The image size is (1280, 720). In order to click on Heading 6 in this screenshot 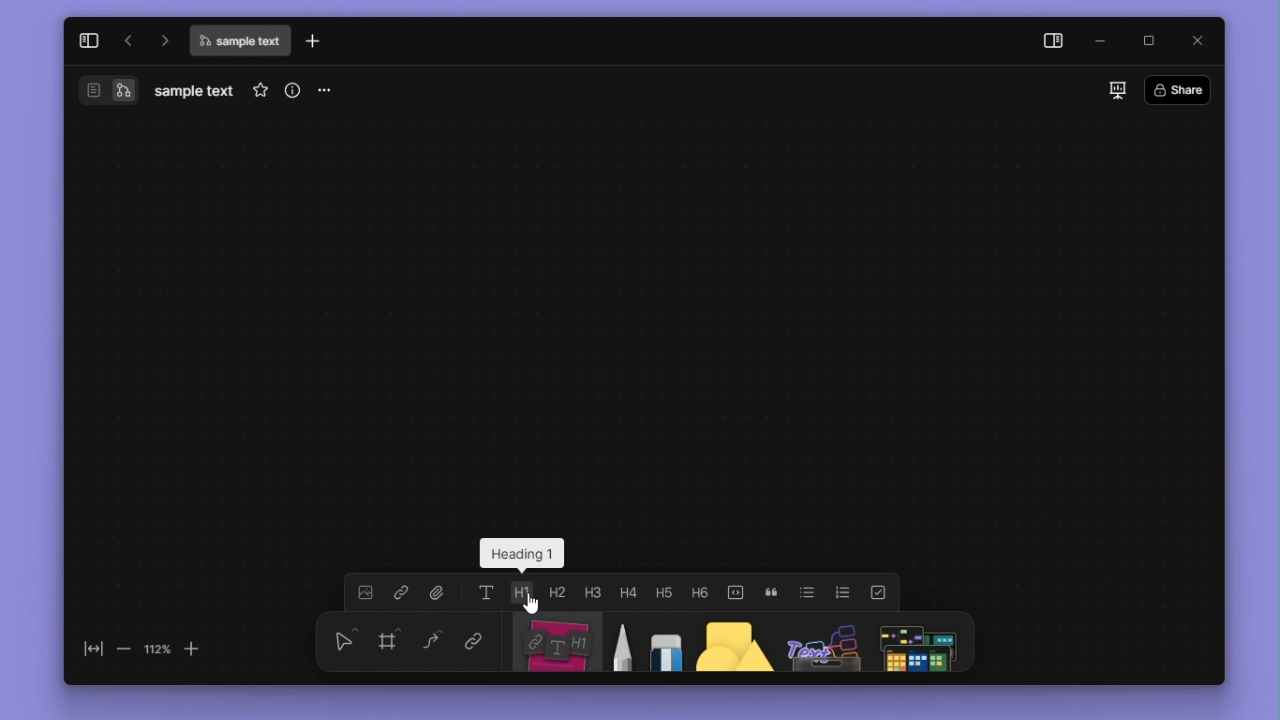, I will do `click(698, 591)`.